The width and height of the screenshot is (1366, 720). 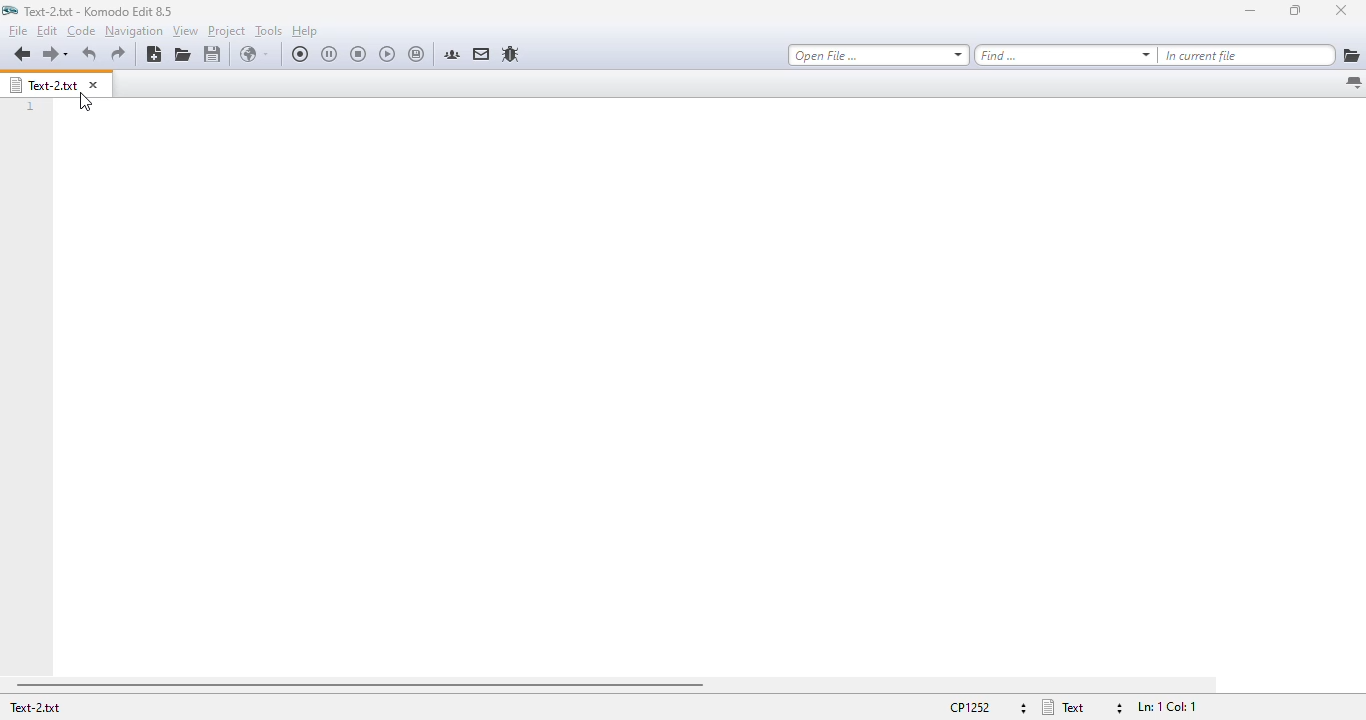 What do you see at coordinates (44, 84) in the screenshot?
I see `text-2` at bounding box center [44, 84].